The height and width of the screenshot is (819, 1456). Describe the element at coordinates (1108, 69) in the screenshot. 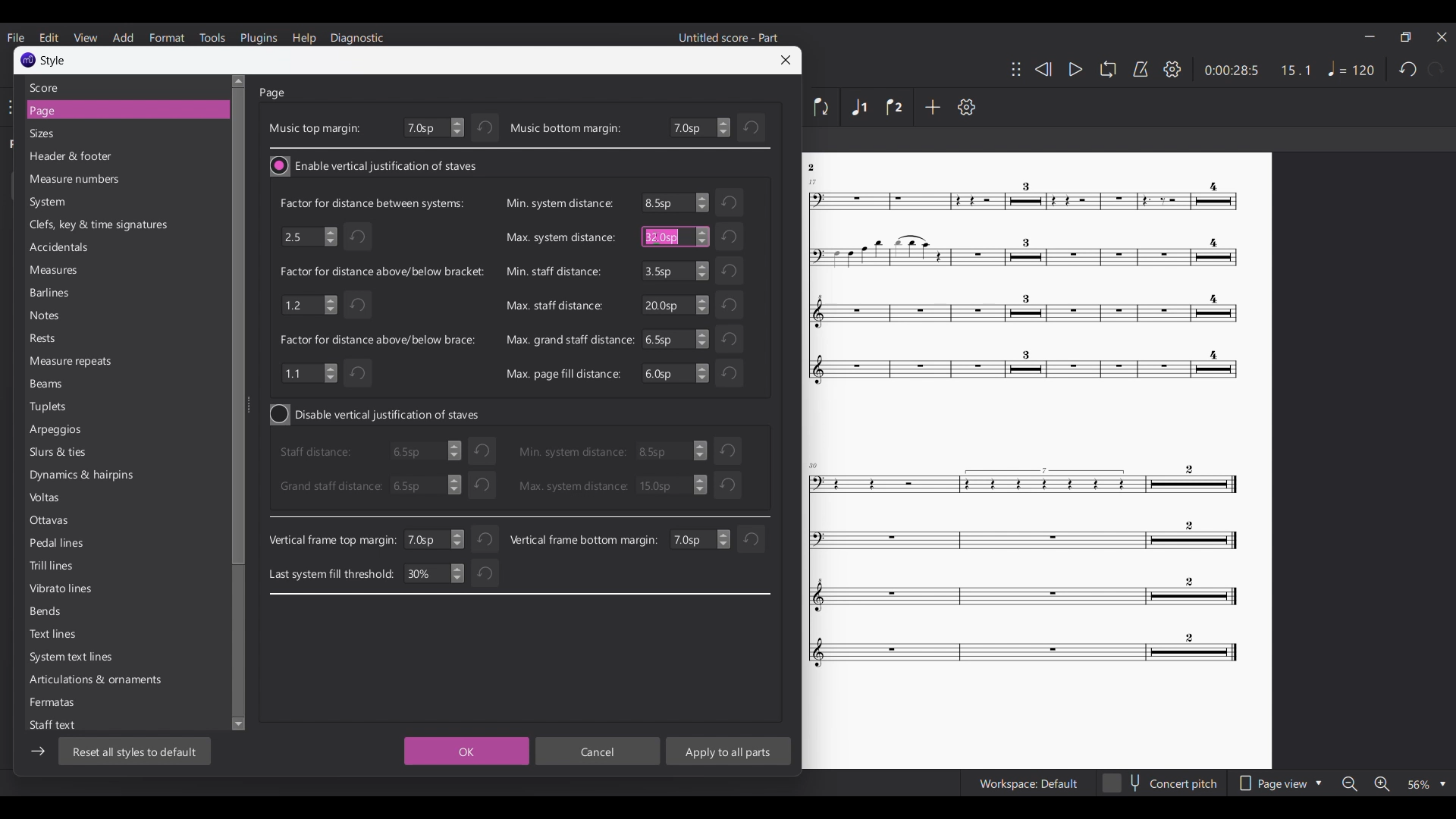

I see `Loop playback` at that location.